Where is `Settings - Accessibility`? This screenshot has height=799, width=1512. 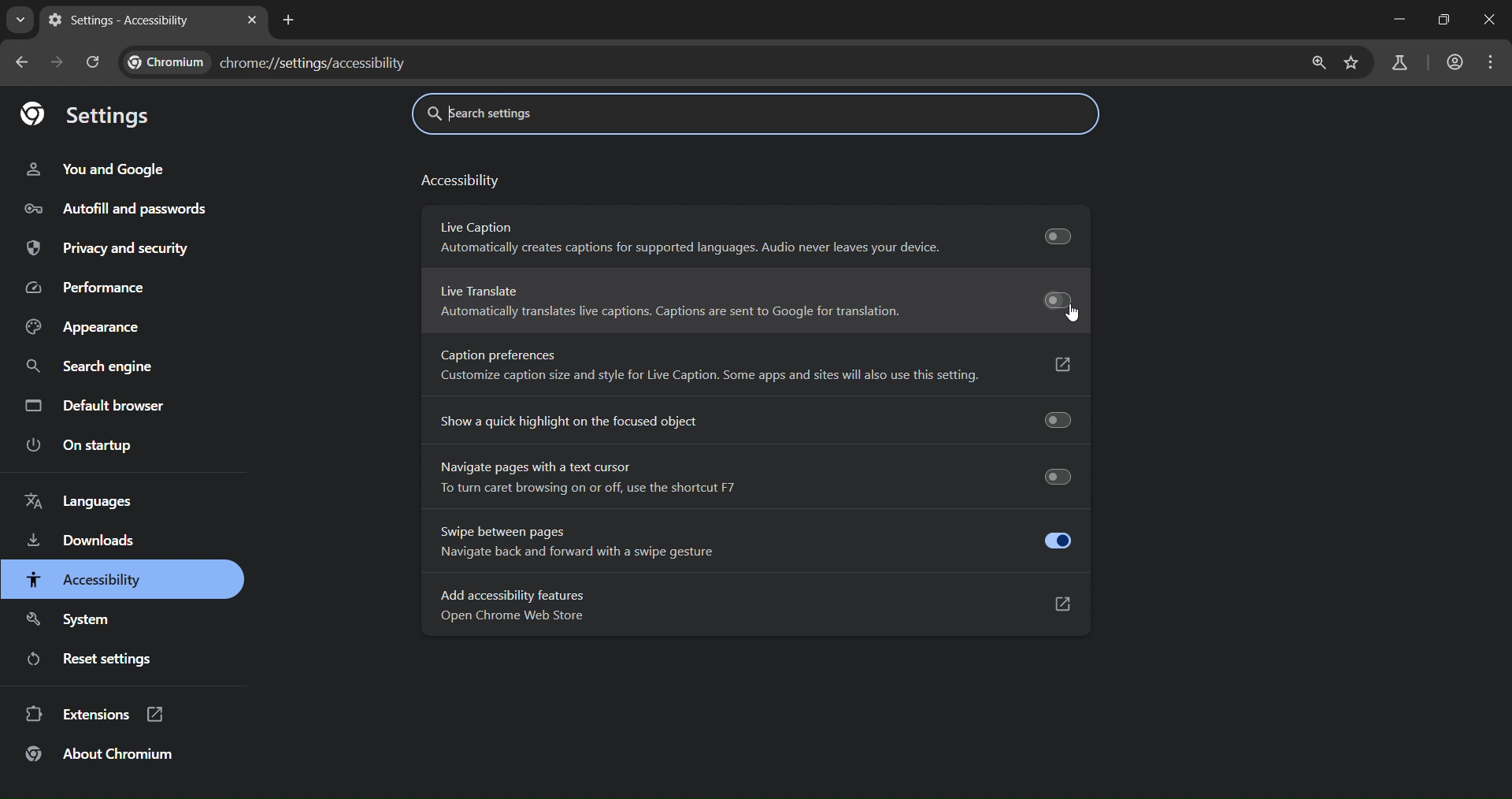
Settings - Accessibility is located at coordinates (120, 20).